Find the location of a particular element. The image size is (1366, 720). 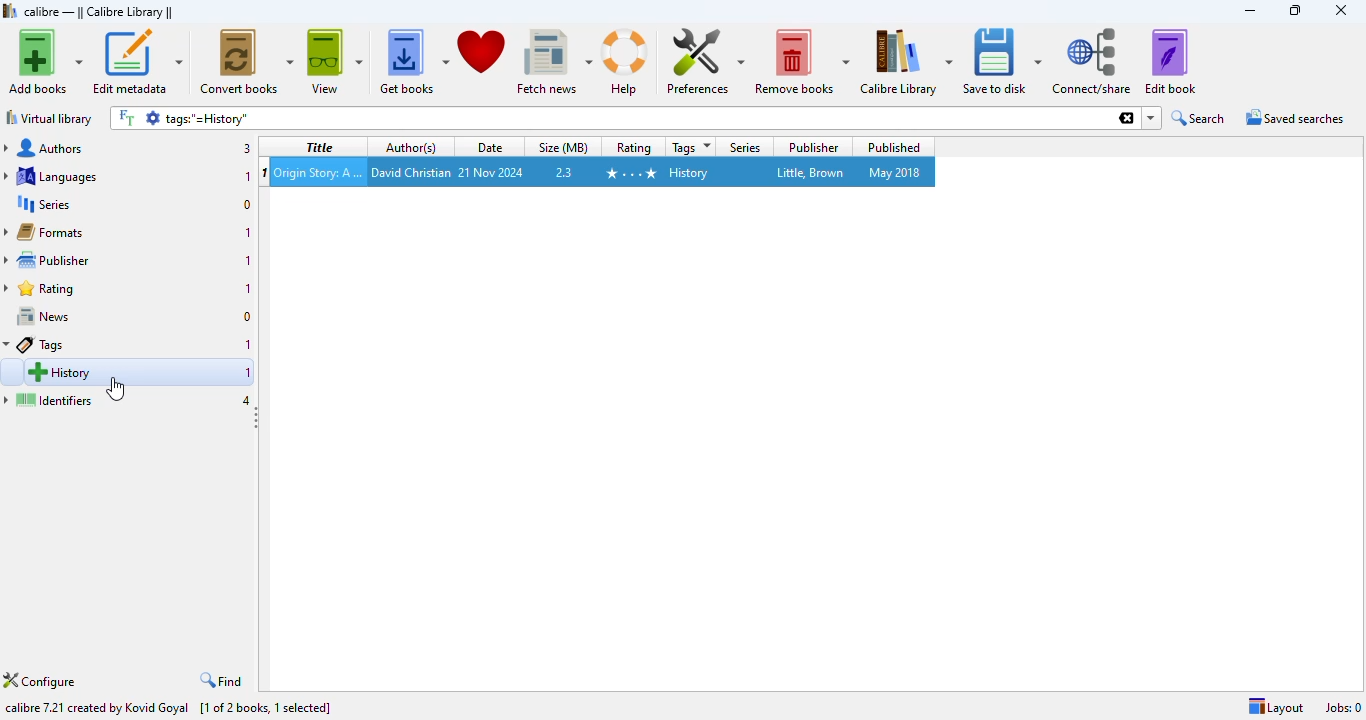

Tags is located at coordinates (36, 345).